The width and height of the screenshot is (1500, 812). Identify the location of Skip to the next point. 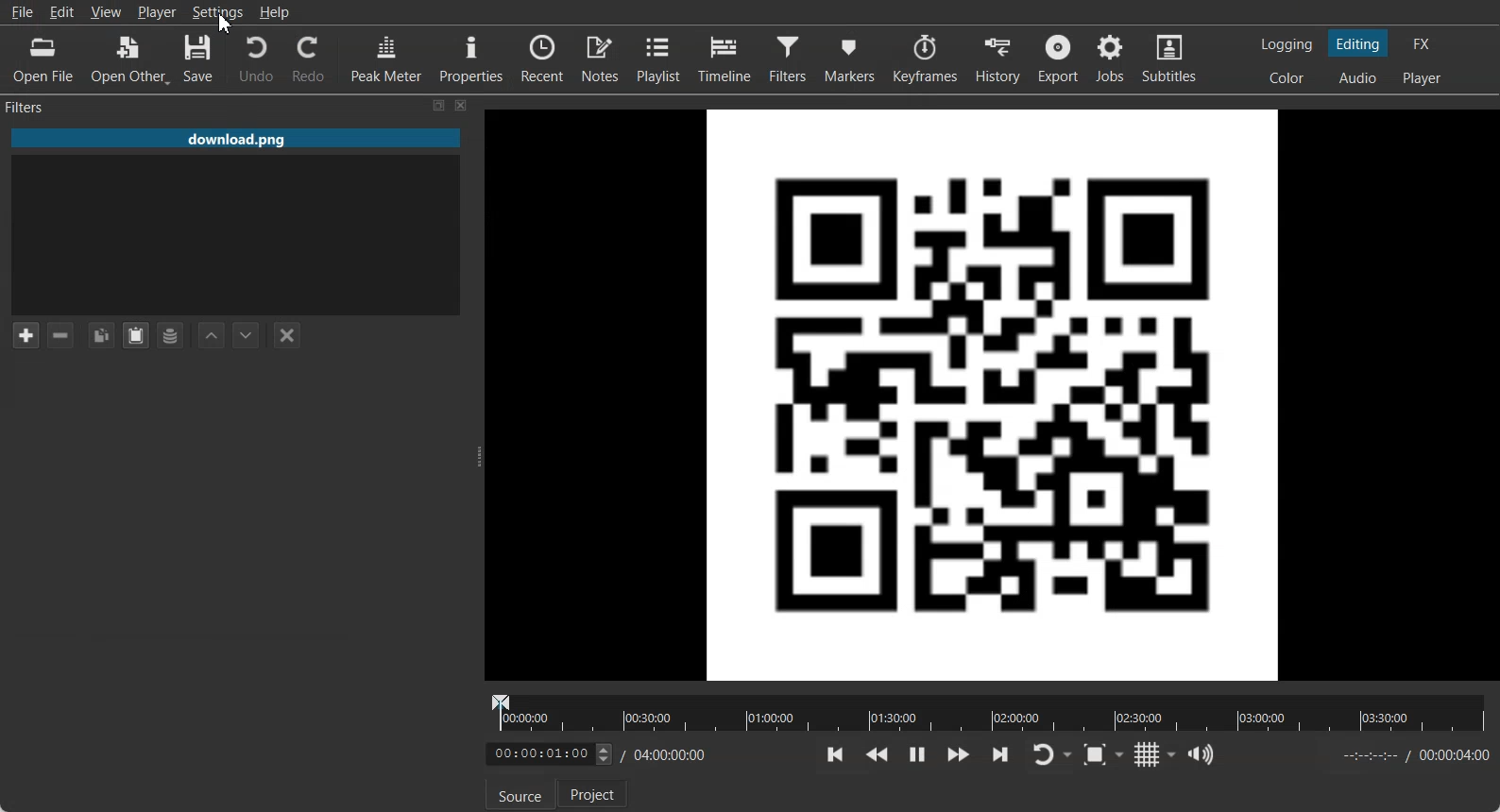
(999, 754).